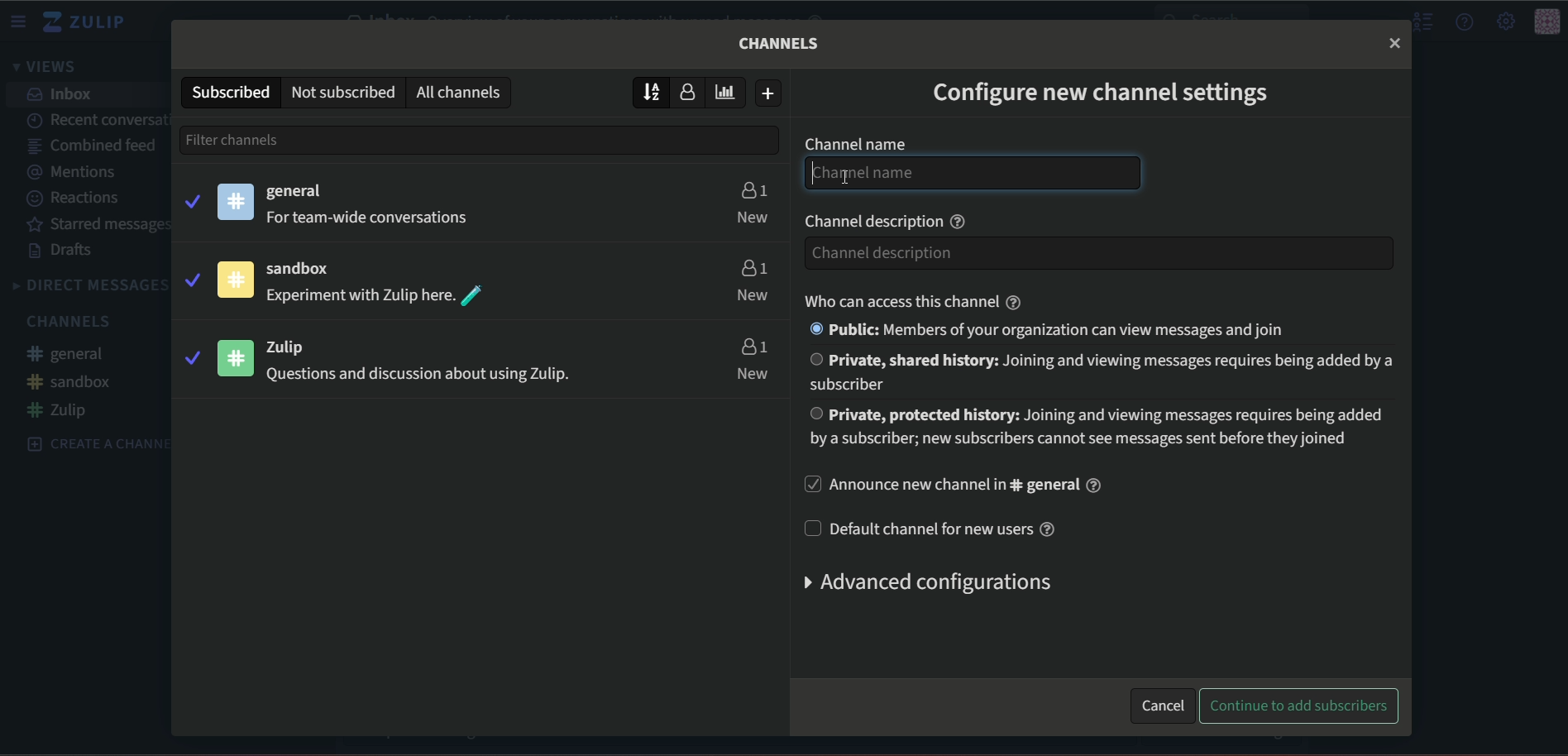  Describe the element at coordinates (752, 266) in the screenshot. I see `users` at that location.